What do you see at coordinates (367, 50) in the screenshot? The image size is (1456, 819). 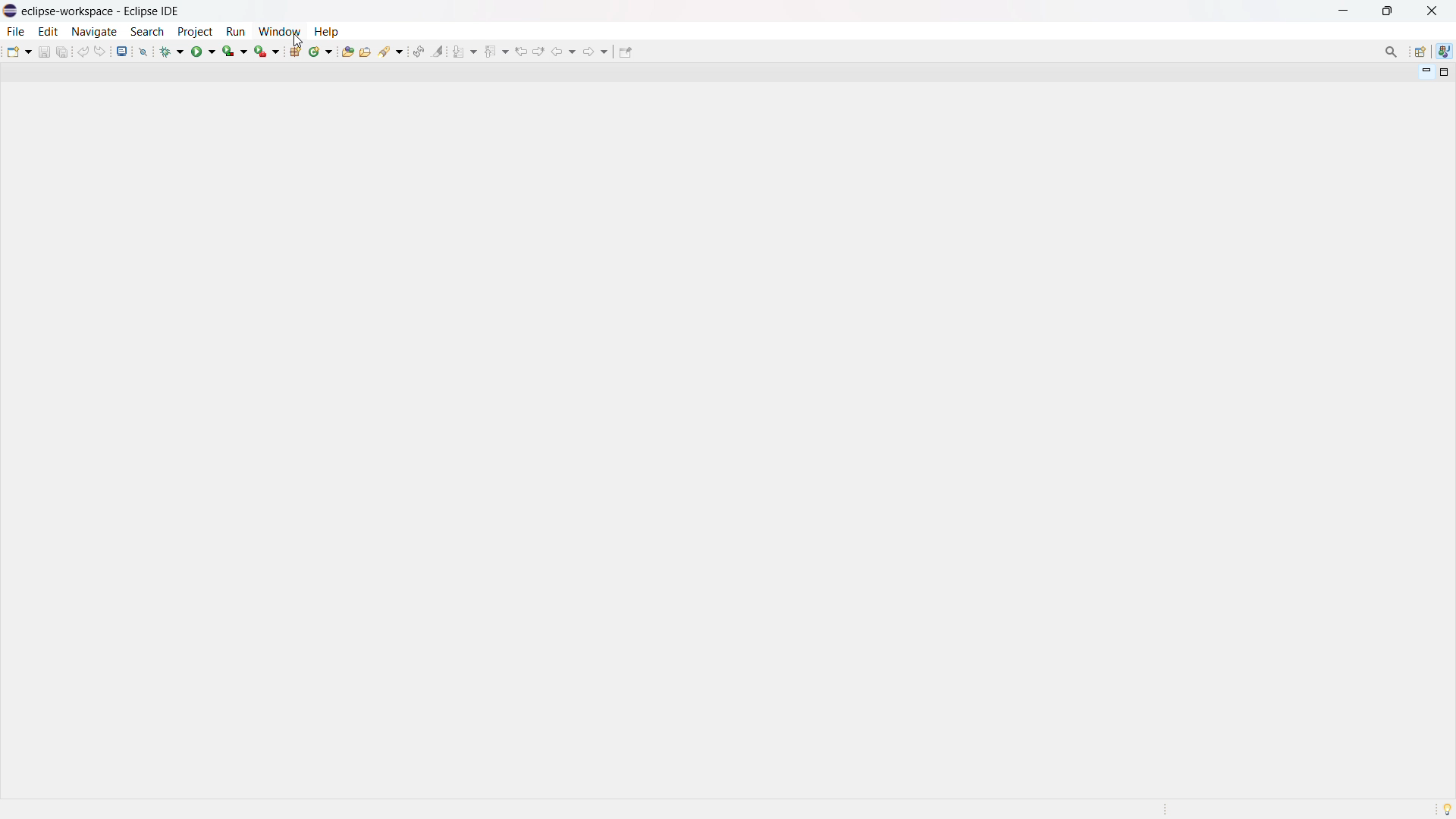 I see `open task` at bounding box center [367, 50].